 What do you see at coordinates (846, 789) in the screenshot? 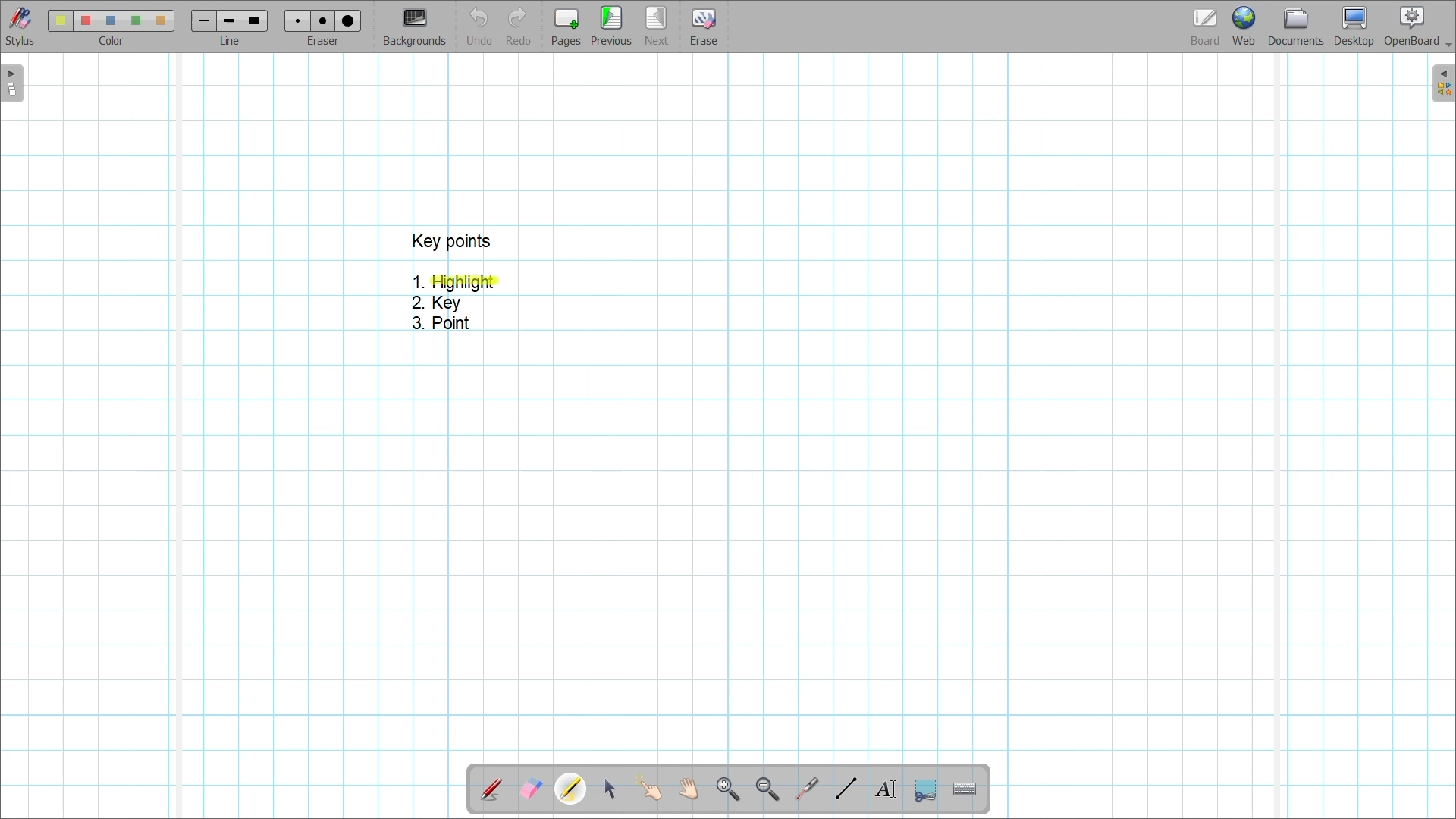
I see `Draw lines` at bounding box center [846, 789].